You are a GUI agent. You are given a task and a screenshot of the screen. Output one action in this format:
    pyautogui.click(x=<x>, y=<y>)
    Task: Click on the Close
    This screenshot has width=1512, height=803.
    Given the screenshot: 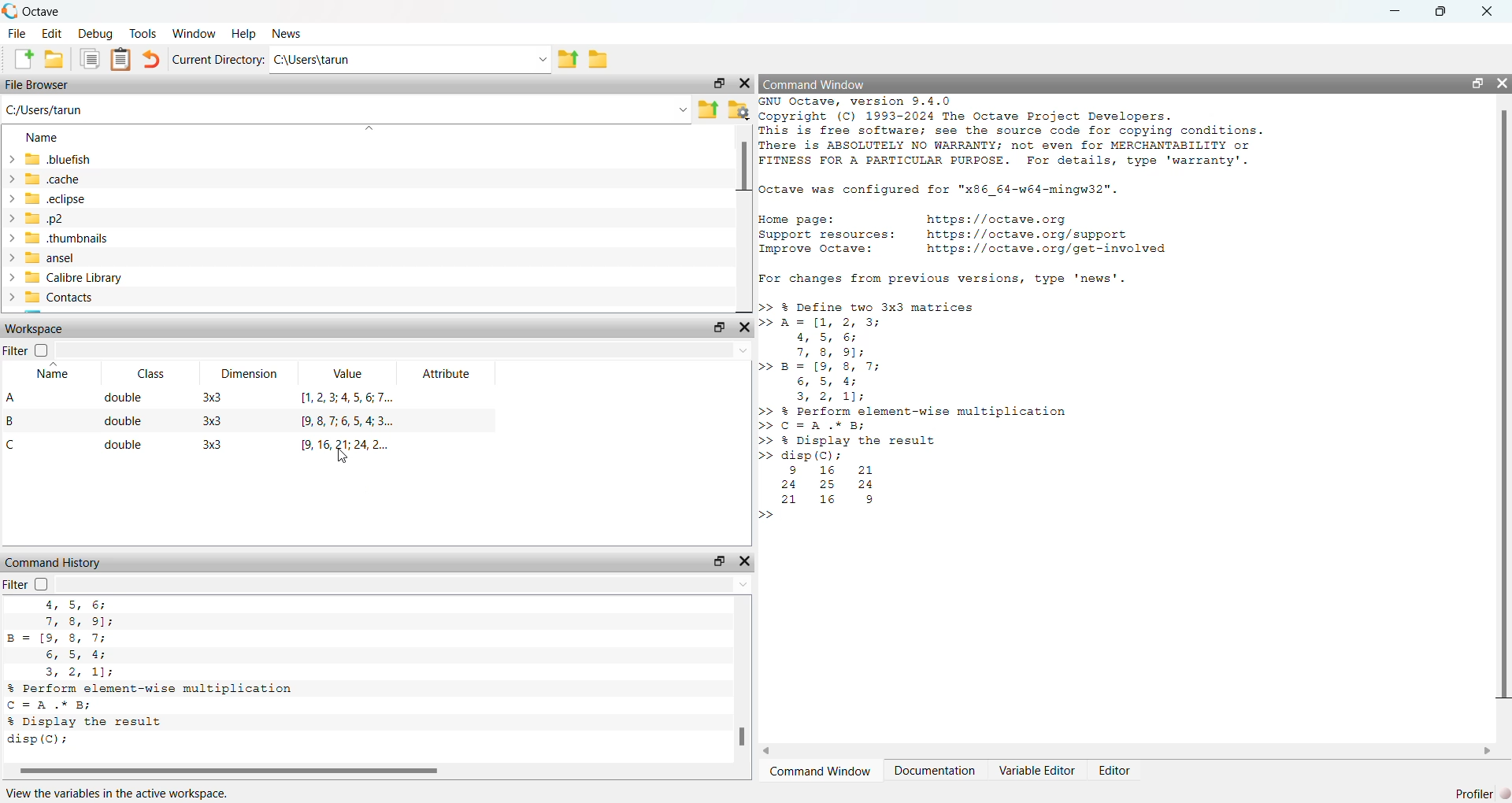 What is the action you would take?
    pyautogui.click(x=743, y=562)
    